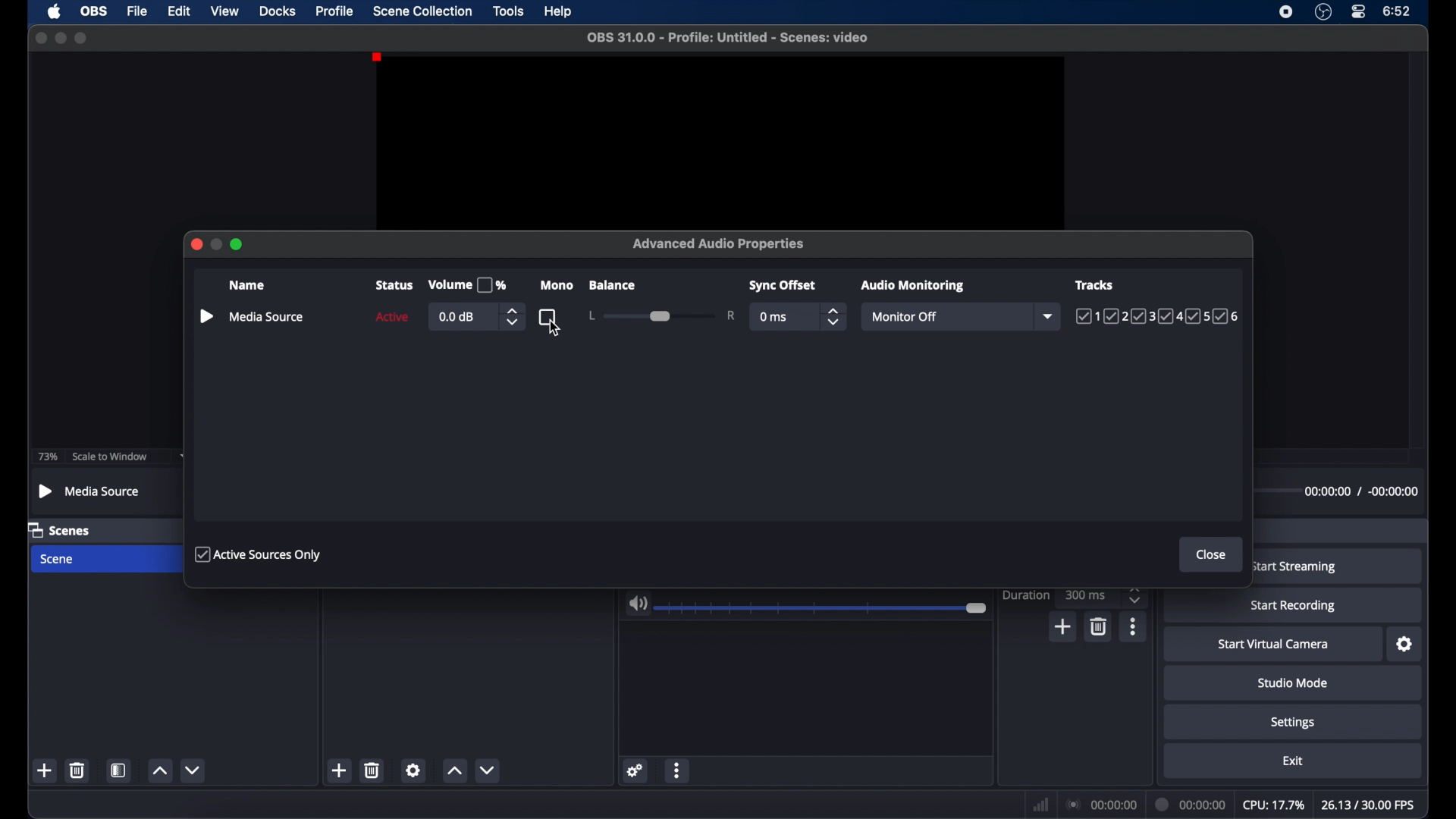 Image resolution: width=1456 pixels, height=819 pixels. I want to click on balance, so click(613, 285).